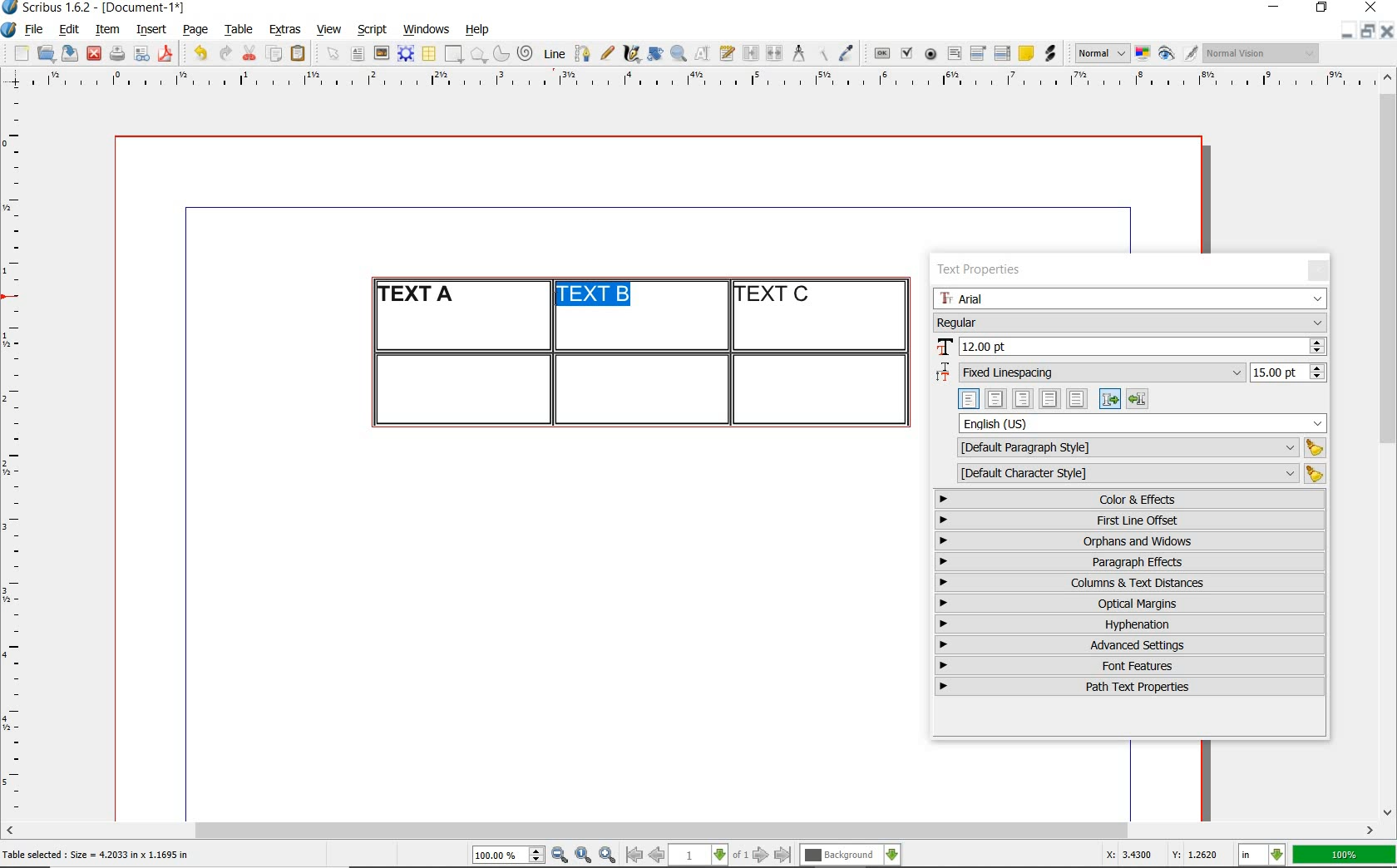  Describe the element at coordinates (1053, 398) in the screenshot. I see `text alignment` at that location.